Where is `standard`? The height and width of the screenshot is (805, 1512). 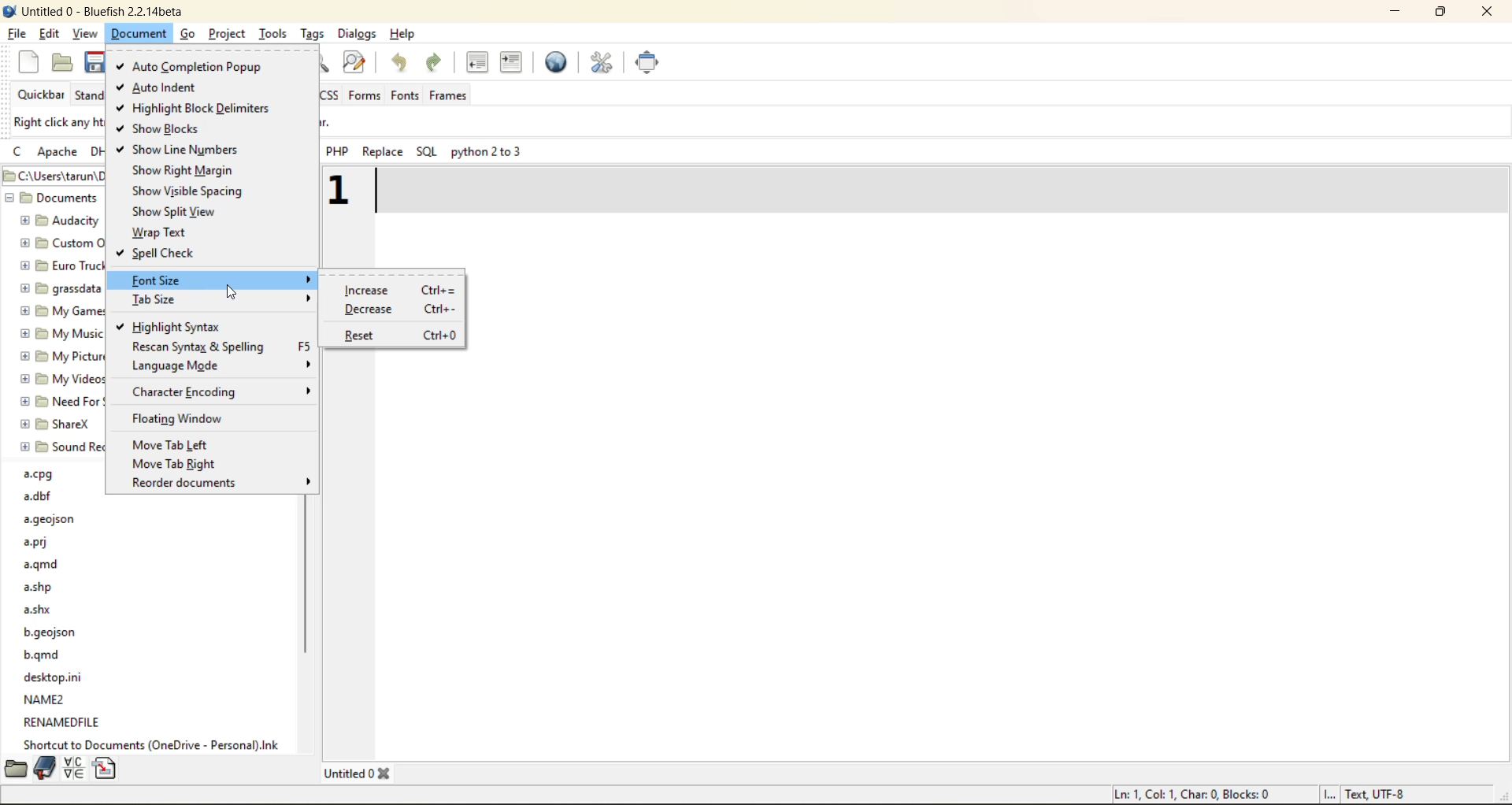
standard is located at coordinates (90, 95).